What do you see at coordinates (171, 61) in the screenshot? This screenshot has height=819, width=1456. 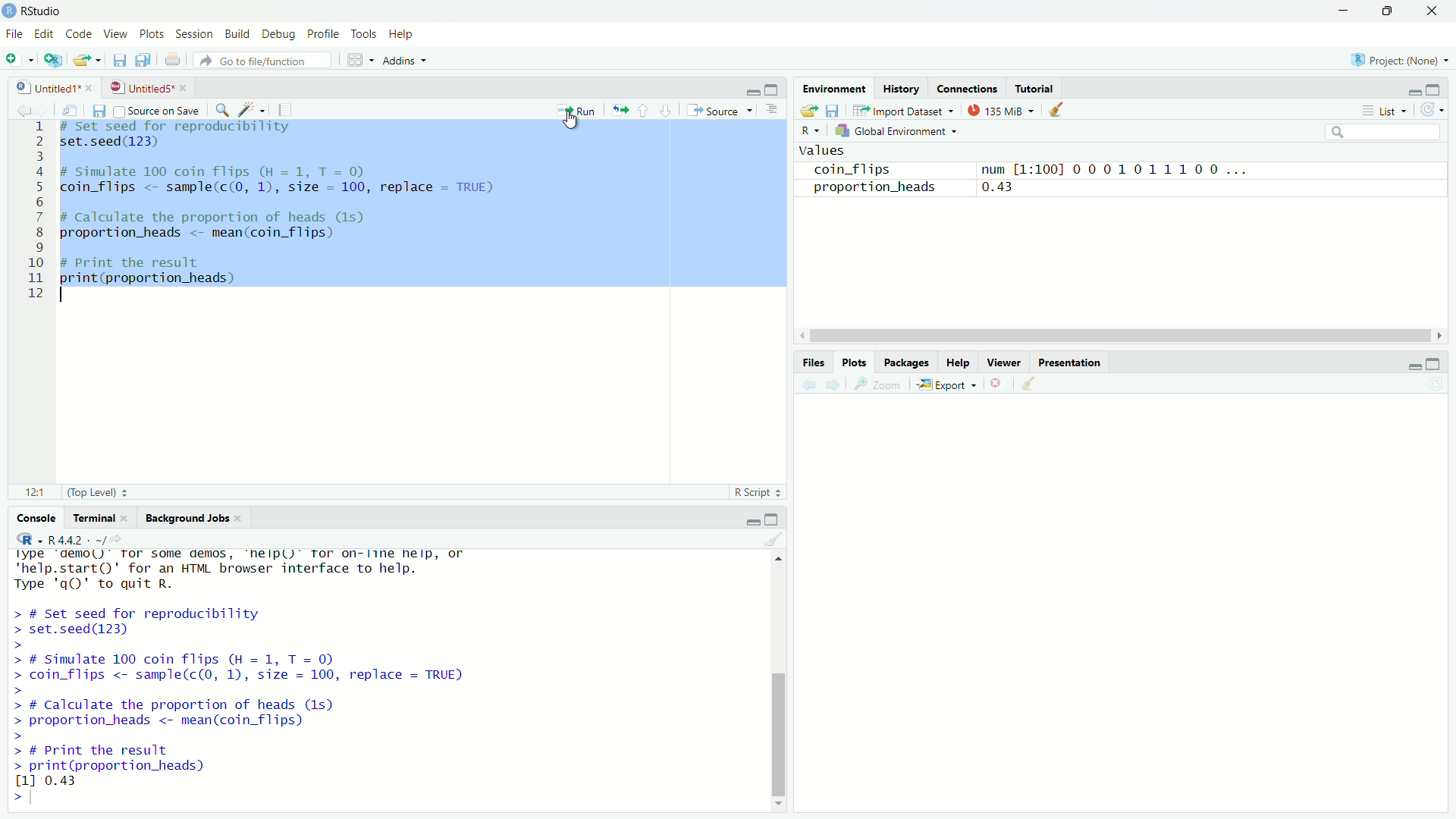 I see `print the current file` at bounding box center [171, 61].